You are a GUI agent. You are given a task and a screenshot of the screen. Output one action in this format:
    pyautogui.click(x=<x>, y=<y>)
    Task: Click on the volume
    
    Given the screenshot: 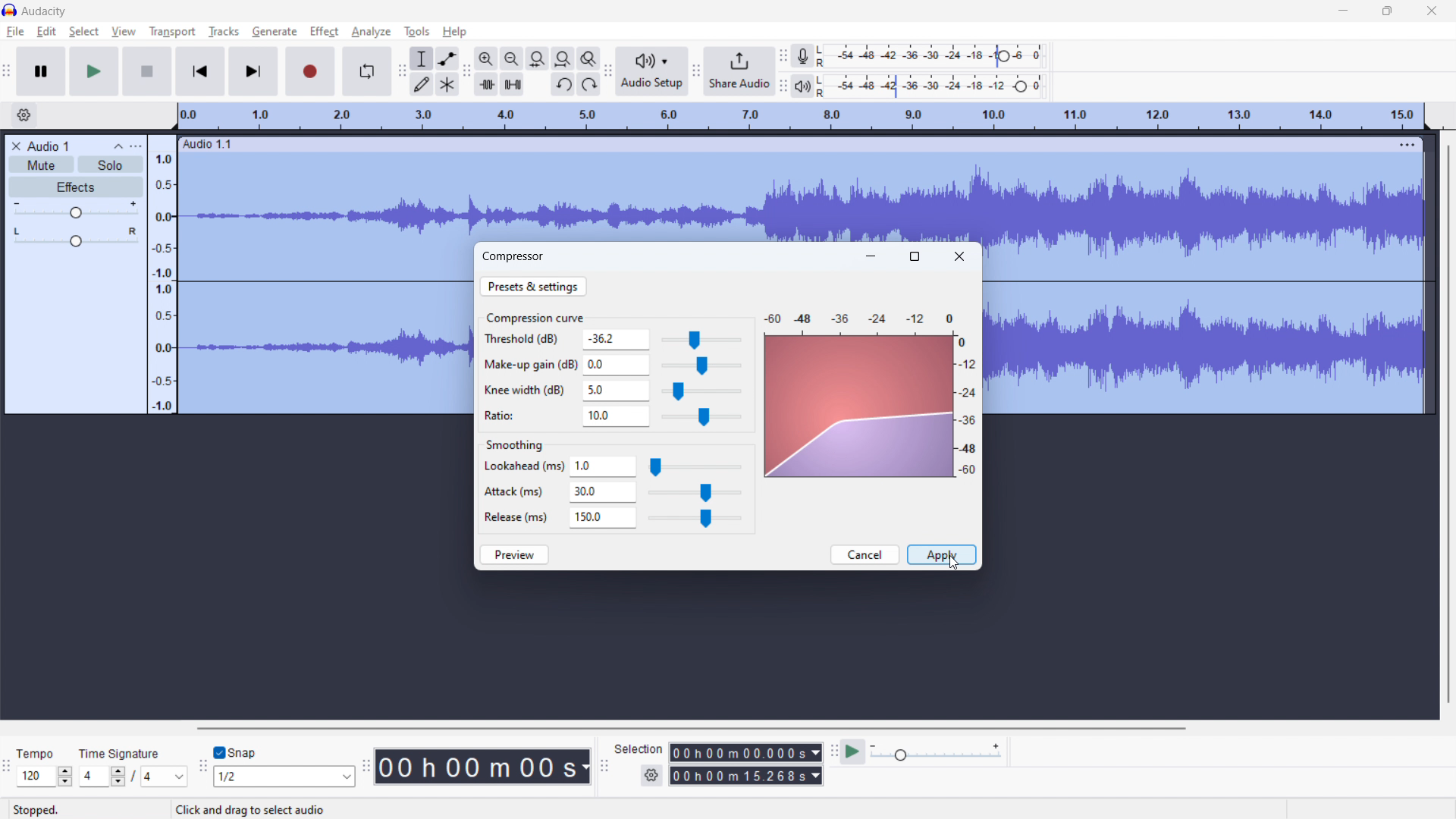 What is the action you would take?
    pyautogui.click(x=74, y=210)
    